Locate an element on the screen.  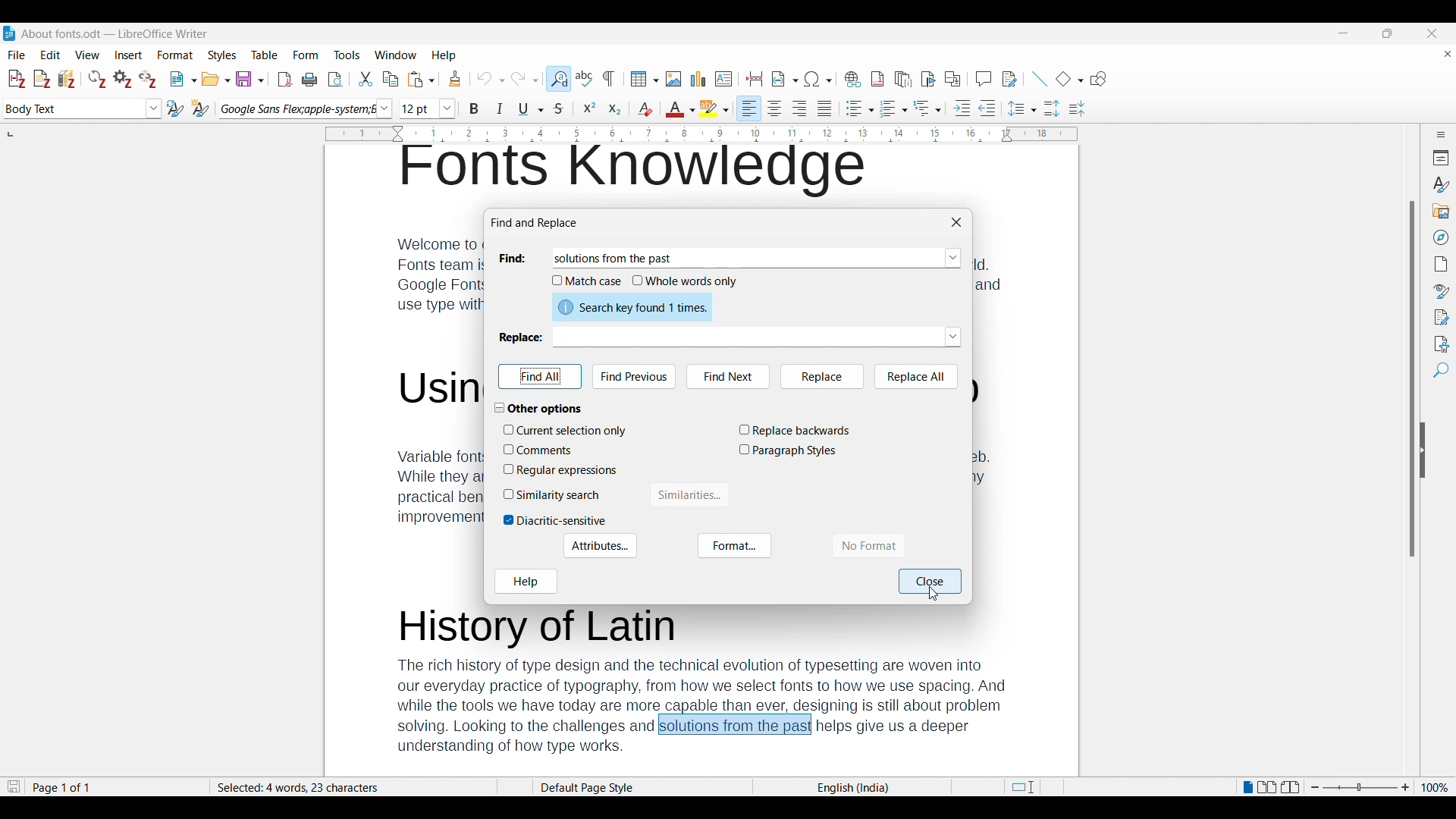
cursor is located at coordinates (933, 596).